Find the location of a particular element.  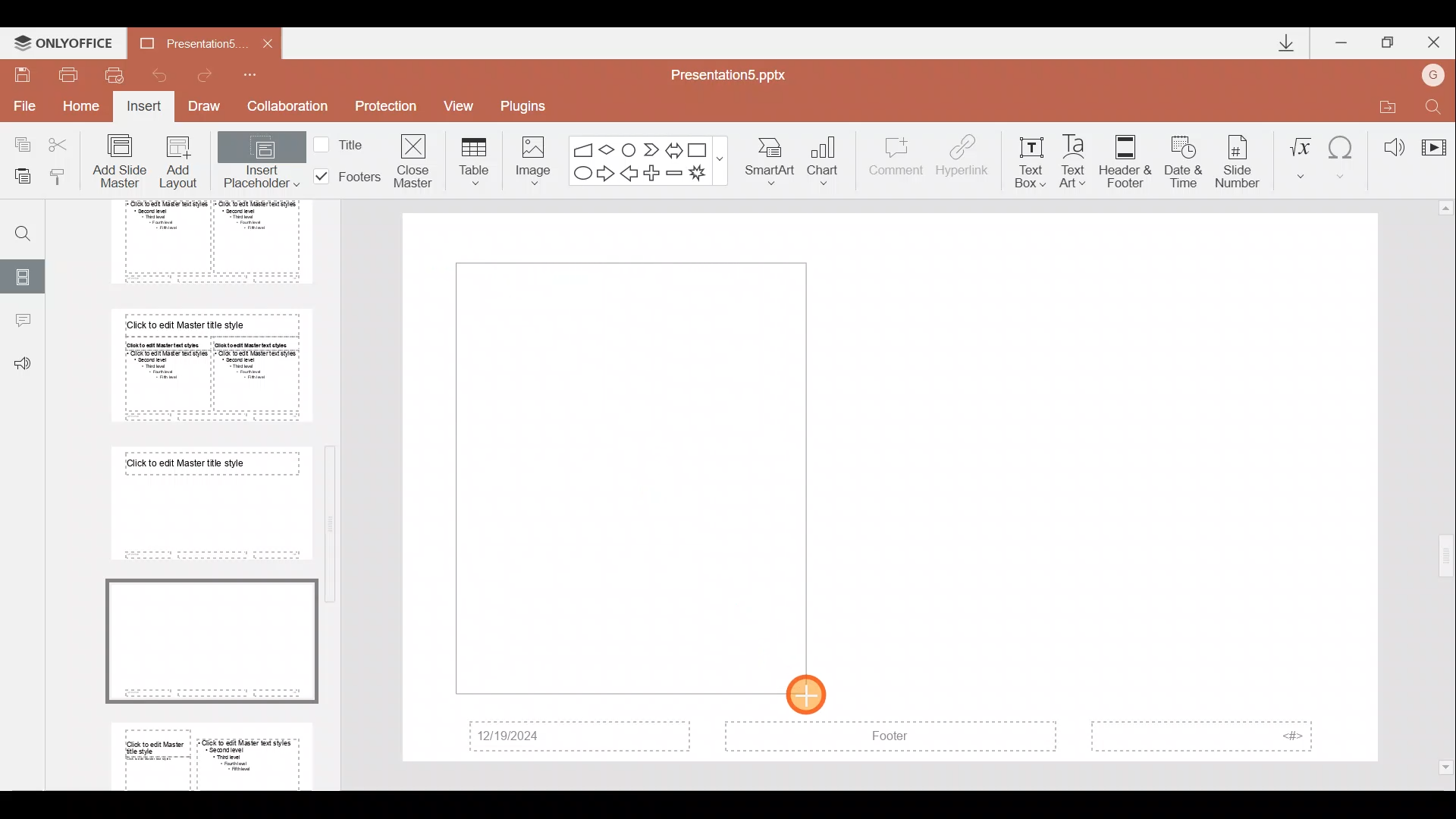

Close document is located at coordinates (263, 42).